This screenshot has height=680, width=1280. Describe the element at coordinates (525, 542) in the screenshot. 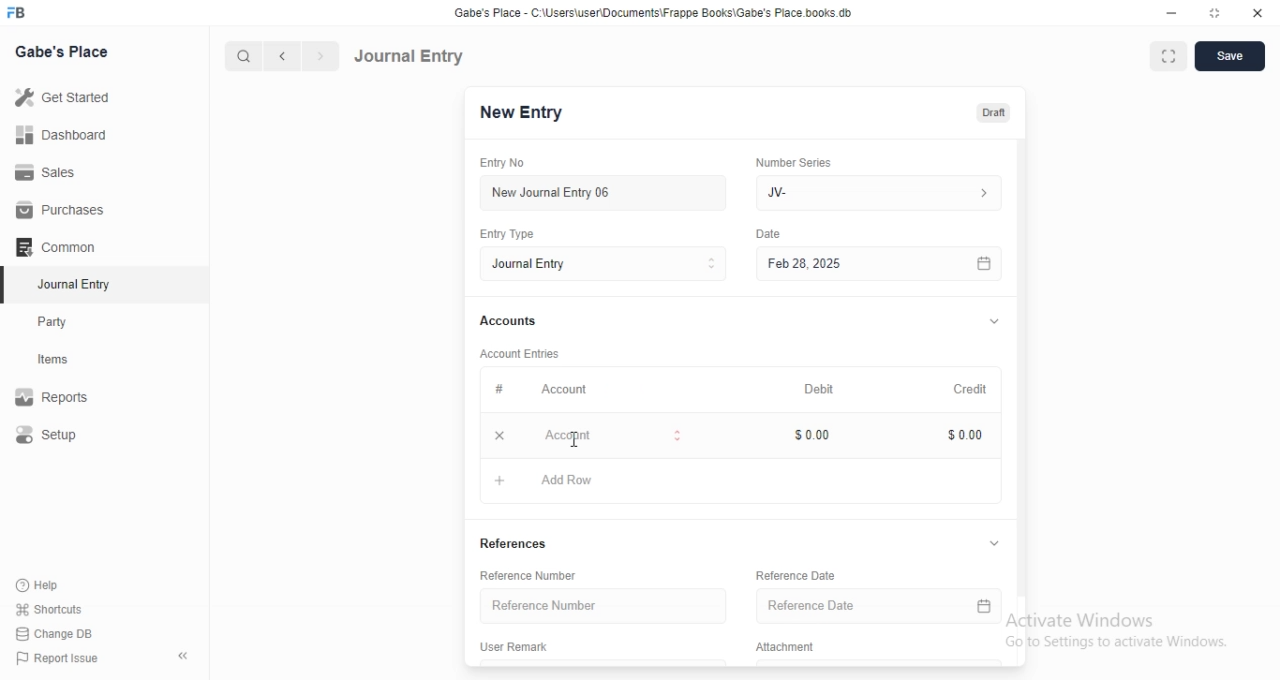

I see `References` at that location.